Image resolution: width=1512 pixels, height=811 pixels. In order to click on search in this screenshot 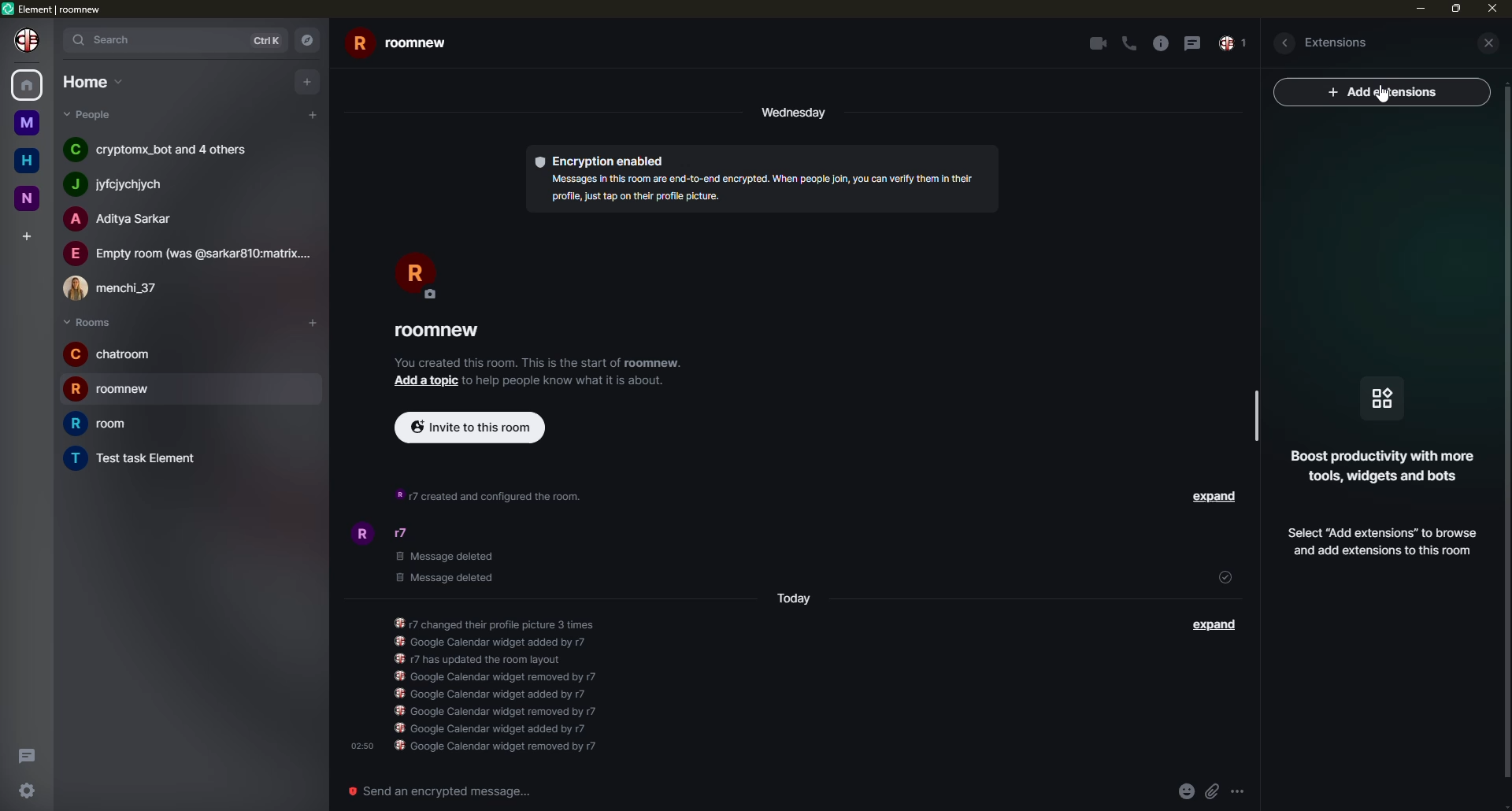, I will do `click(106, 42)`.